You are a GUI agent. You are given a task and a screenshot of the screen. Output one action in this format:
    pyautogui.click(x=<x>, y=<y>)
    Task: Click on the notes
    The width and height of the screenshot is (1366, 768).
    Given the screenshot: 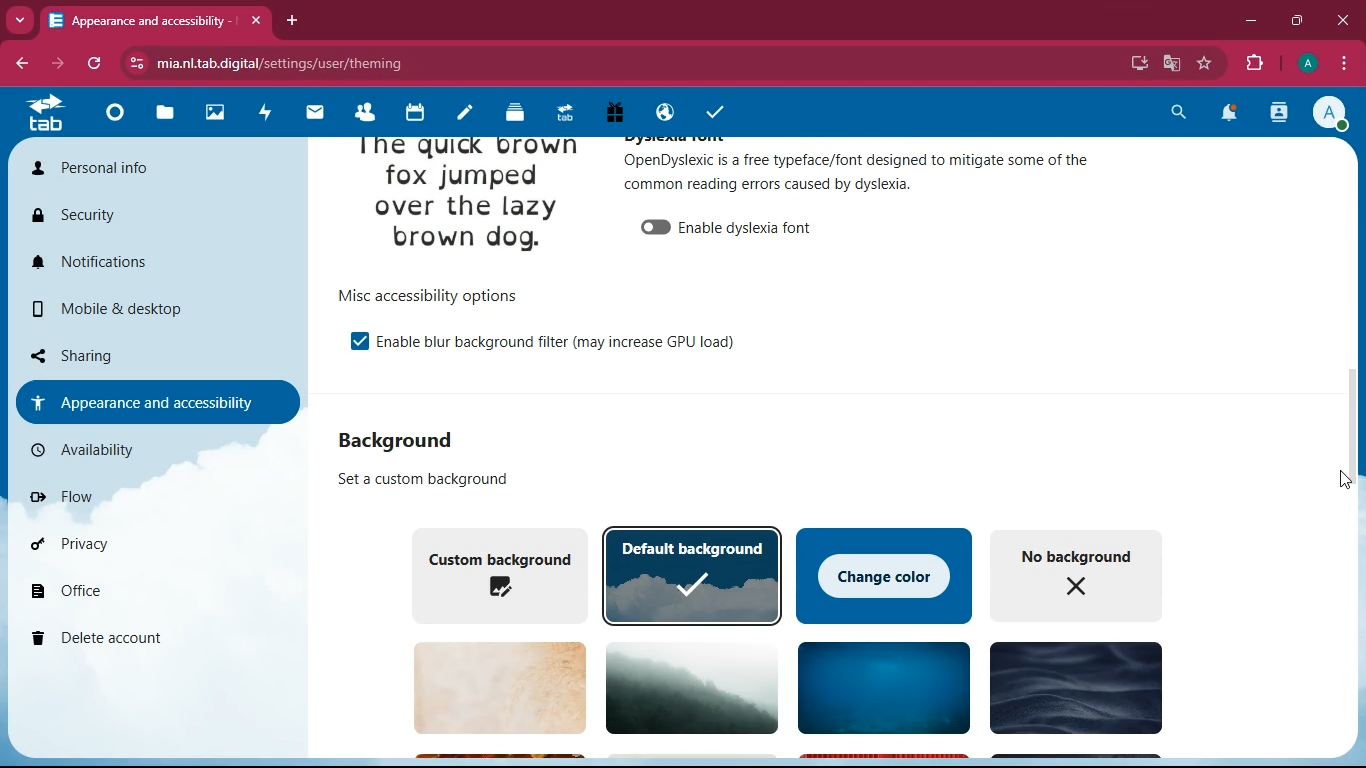 What is the action you would take?
    pyautogui.click(x=458, y=114)
    